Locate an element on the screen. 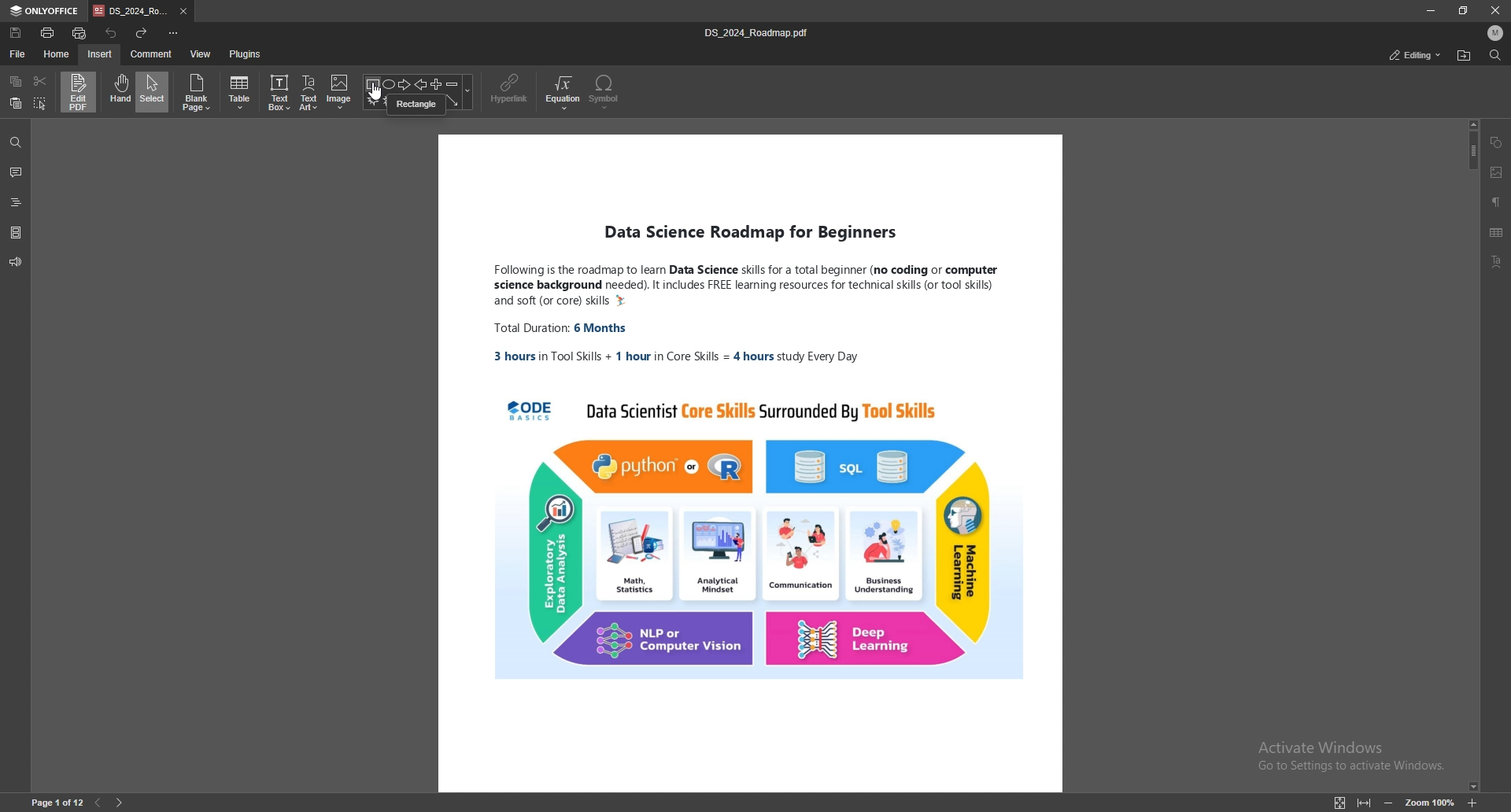  zoom out is located at coordinates (1388, 803).